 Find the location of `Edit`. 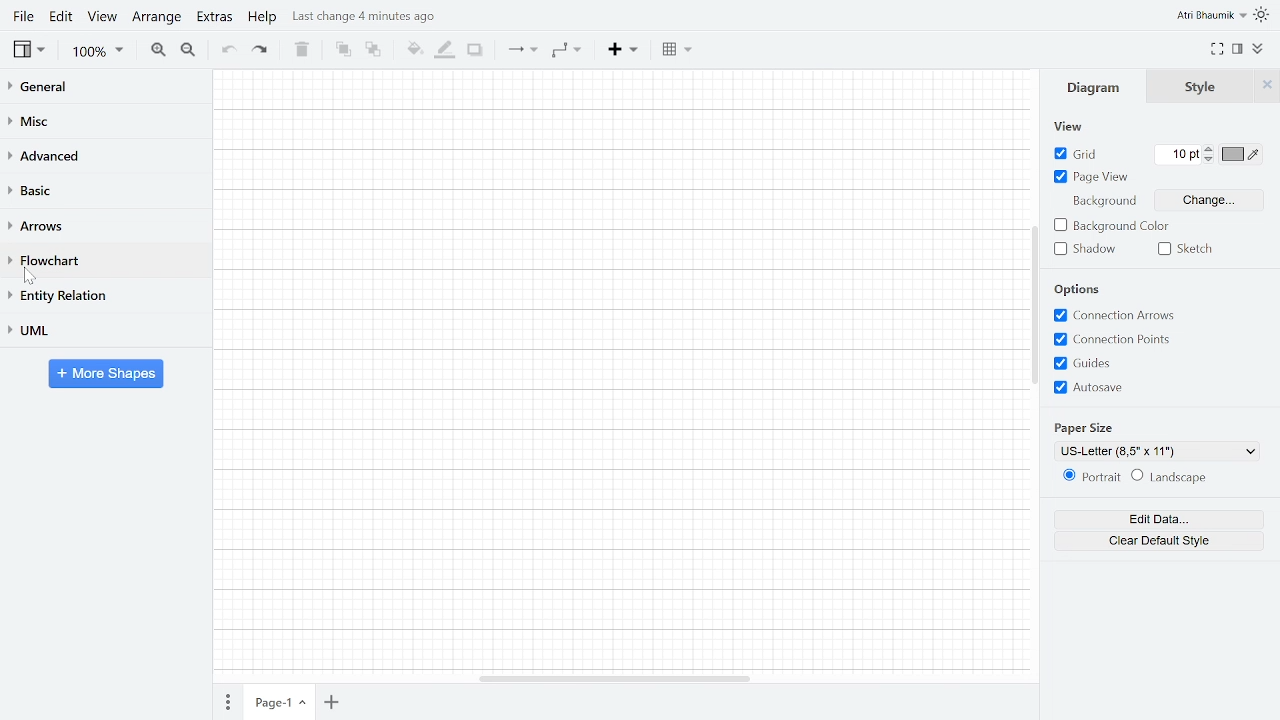

Edit is located at coordinates (62, 19).